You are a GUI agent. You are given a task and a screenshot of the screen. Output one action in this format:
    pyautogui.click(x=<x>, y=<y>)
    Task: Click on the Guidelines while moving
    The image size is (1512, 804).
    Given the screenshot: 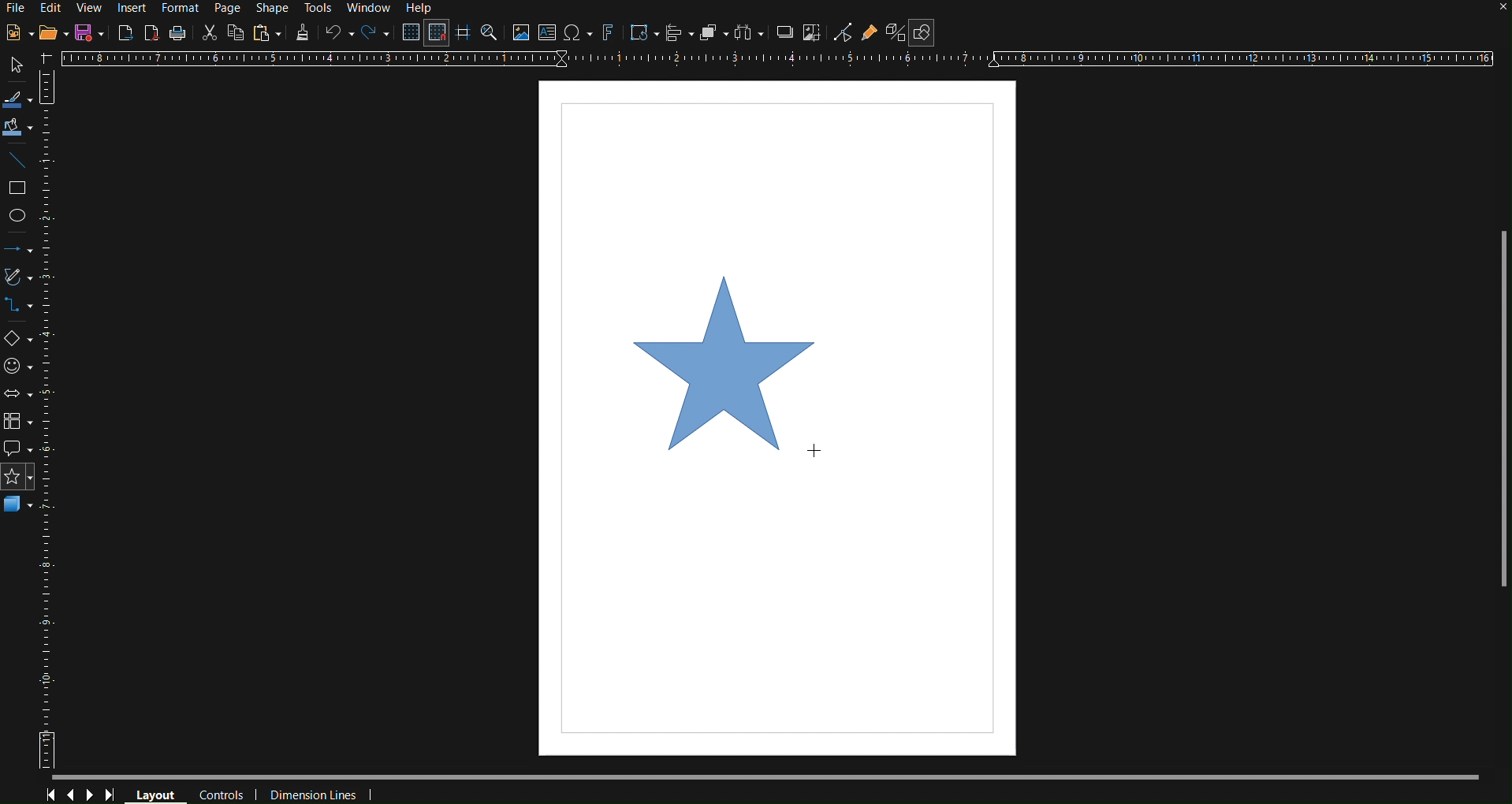 What is the action you would take?
    pyautogui.click(x=464, y=34)
    